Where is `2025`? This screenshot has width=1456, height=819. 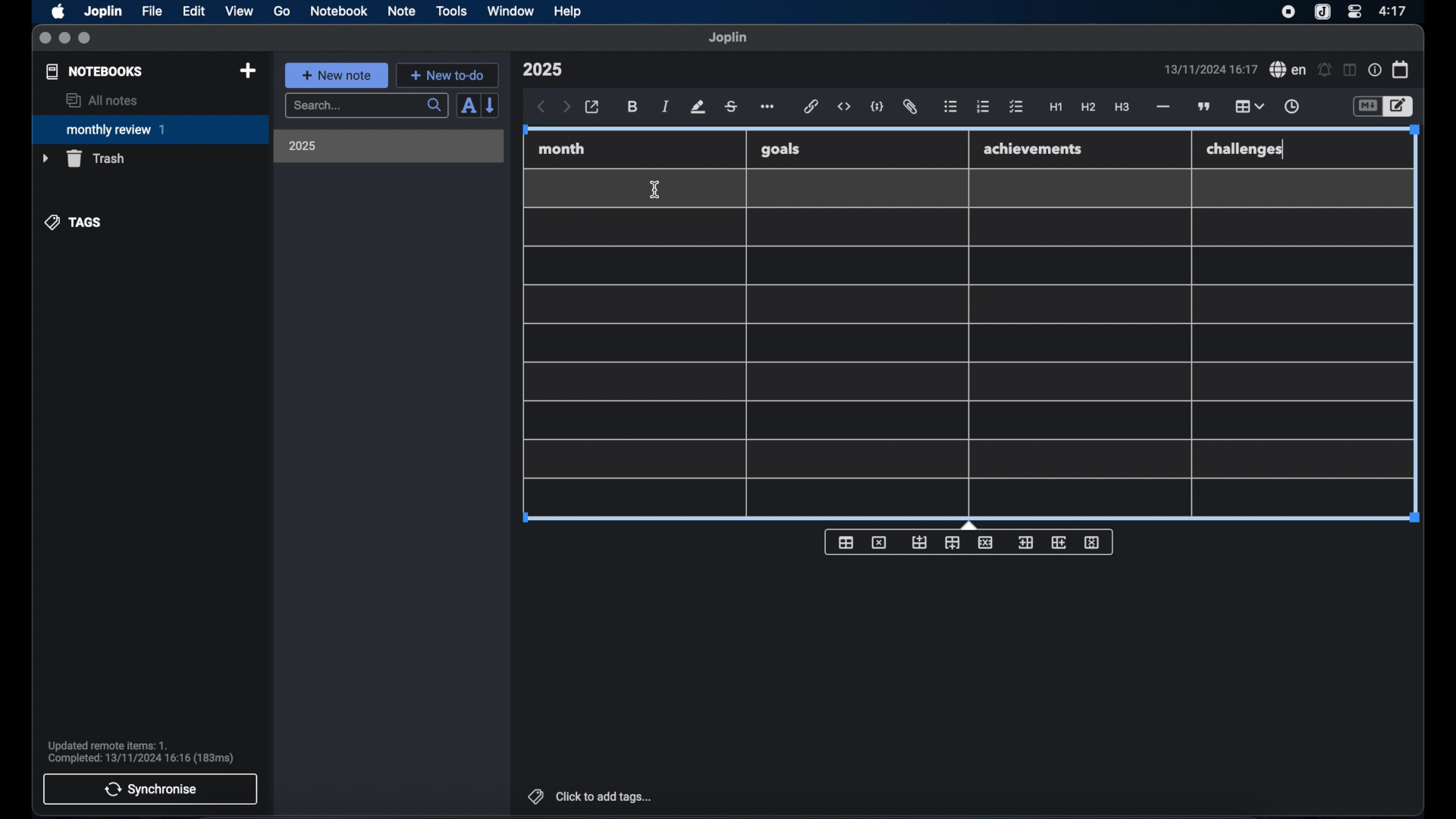 2025 is located at coordinates (303, 146).